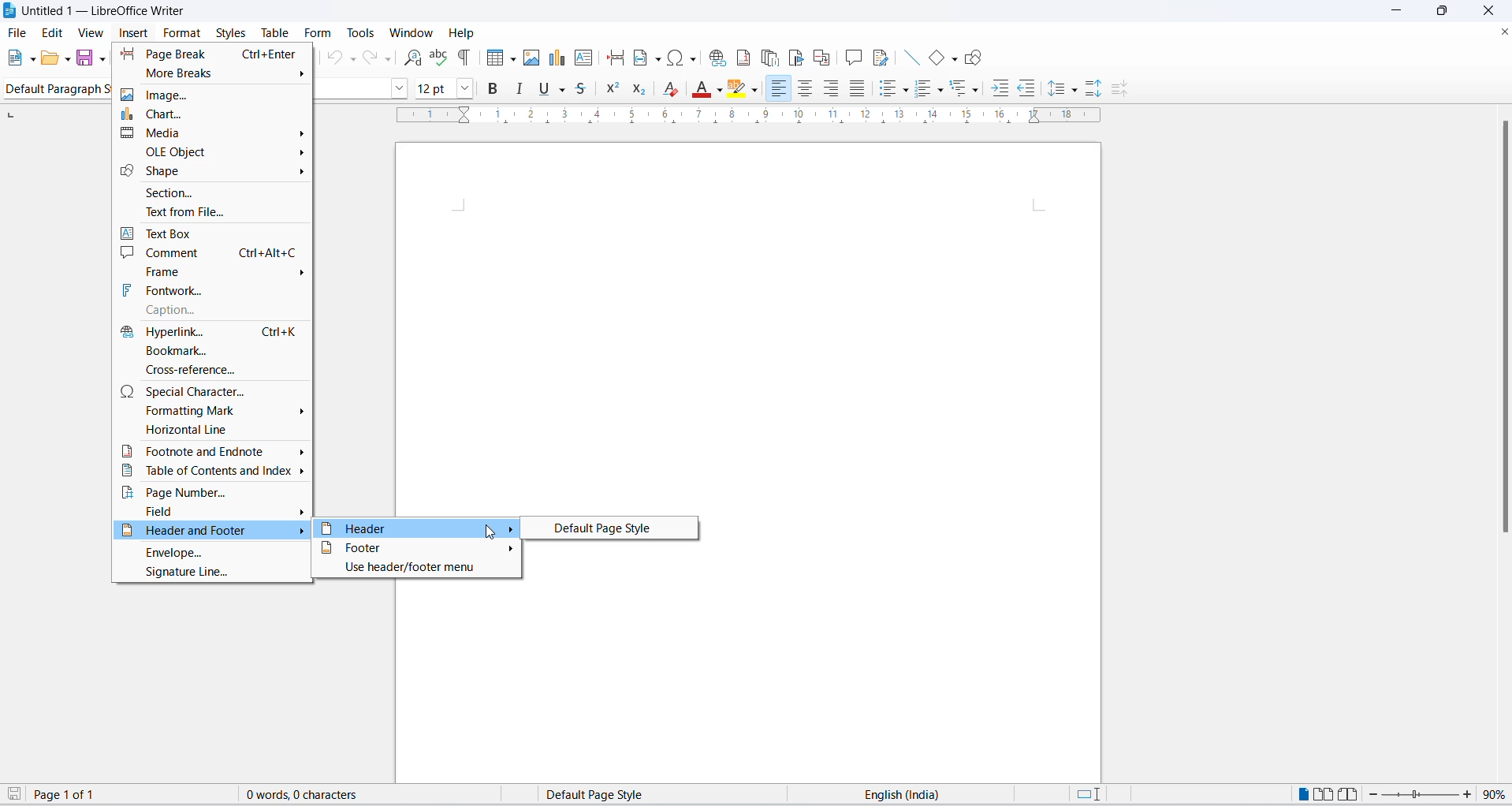 This screenshot has height=806, width=1512. Describe the element at coordinates (215, 271) in the screenshot. I see `frame` at that location.